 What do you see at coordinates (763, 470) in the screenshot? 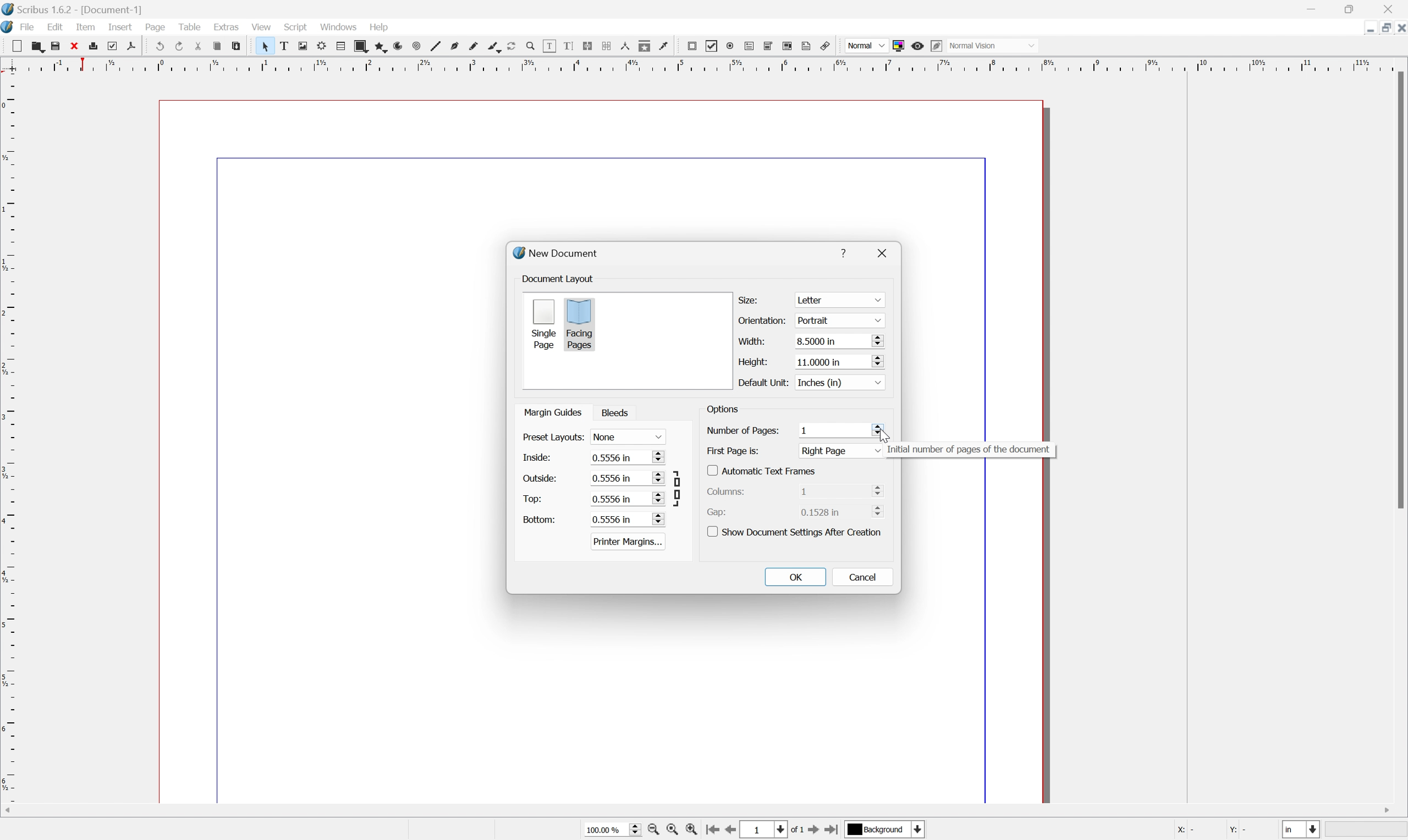
I see `automatic text frames` at bounding box center [763, 470].